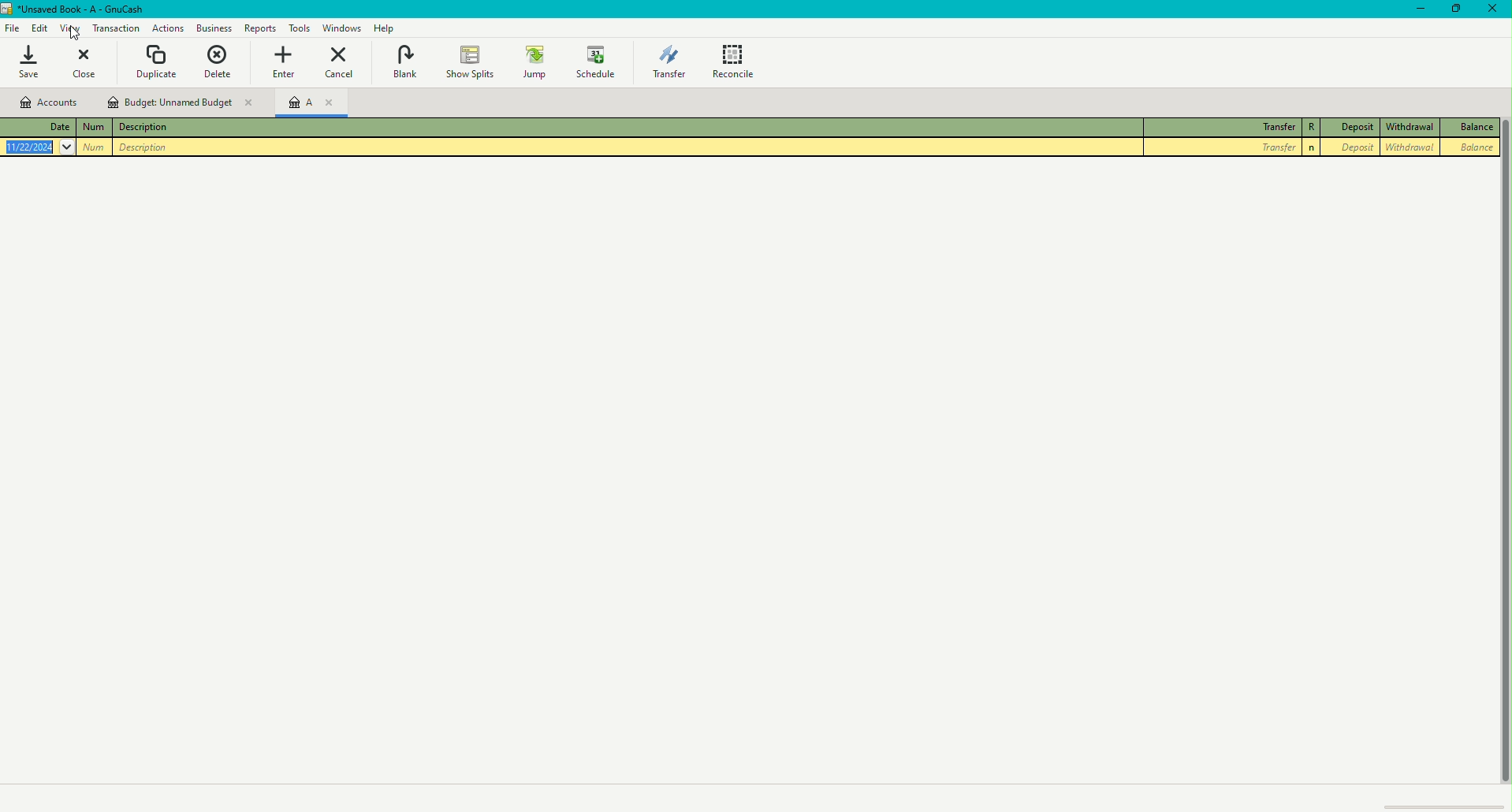 The image size is (1512, 812). I want to click on , so click(1312, 148).